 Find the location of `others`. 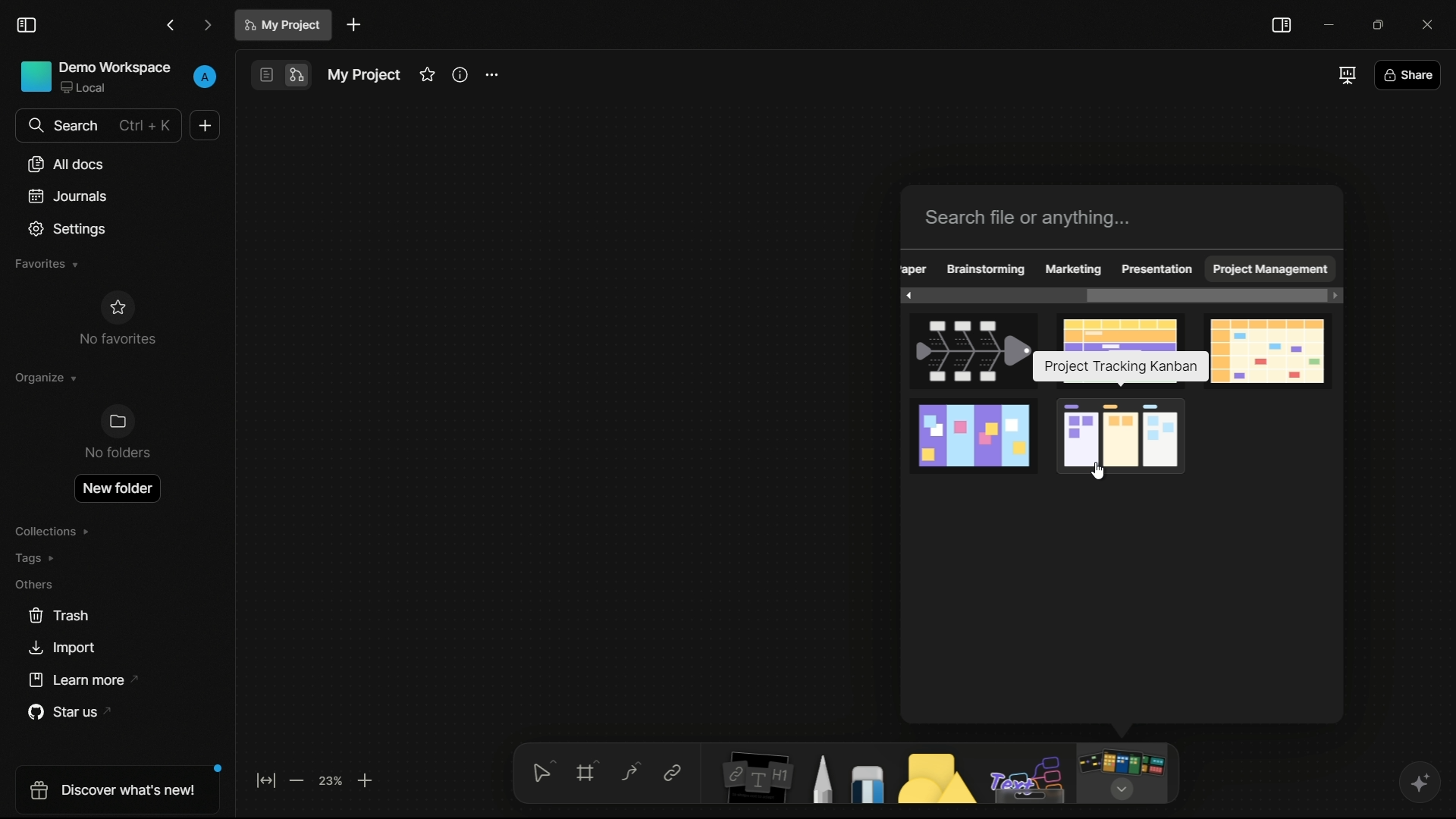

others is located at coordinates (33, 584).